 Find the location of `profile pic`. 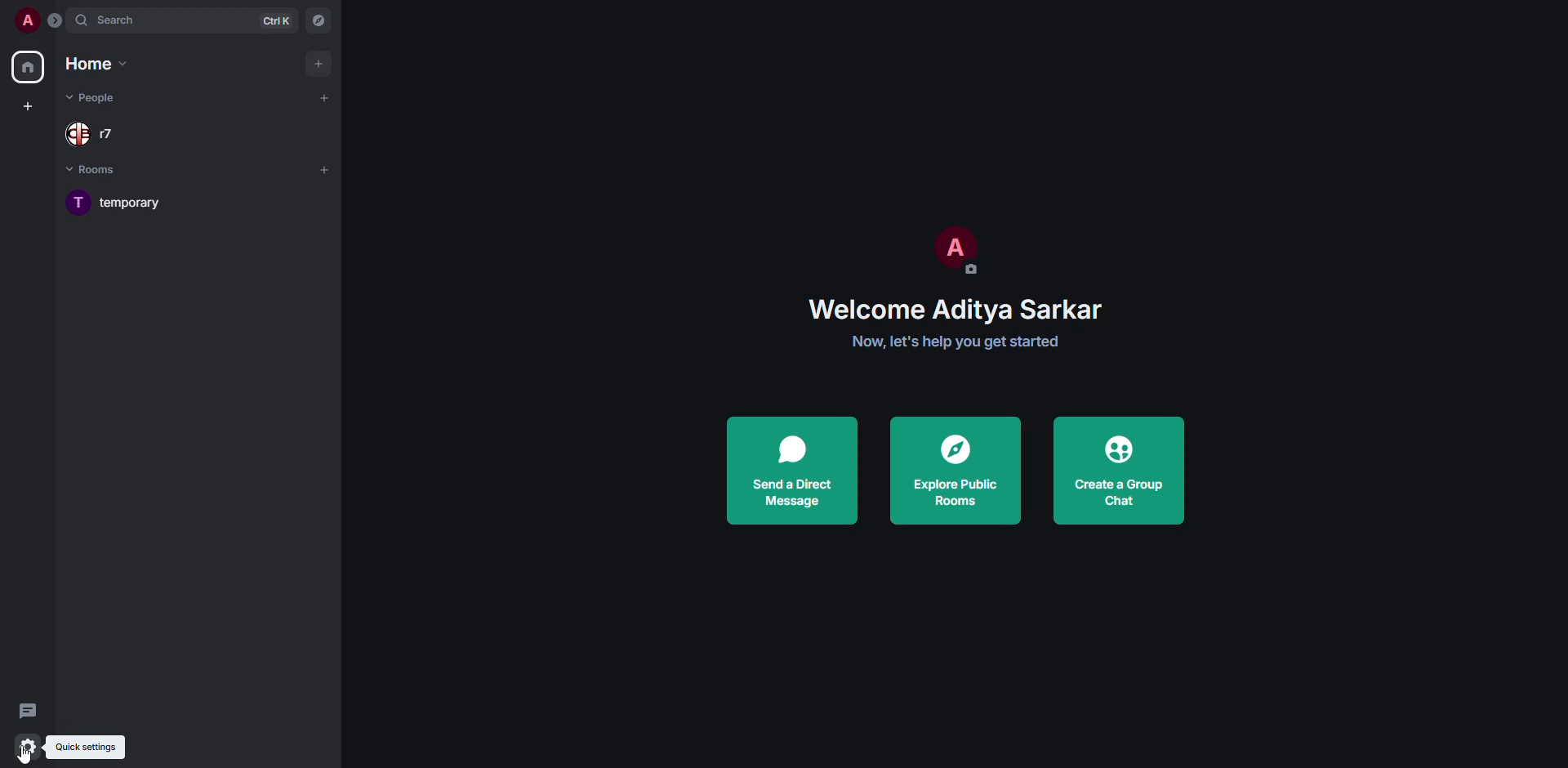

profile pic is located at coordinates (953, 253).